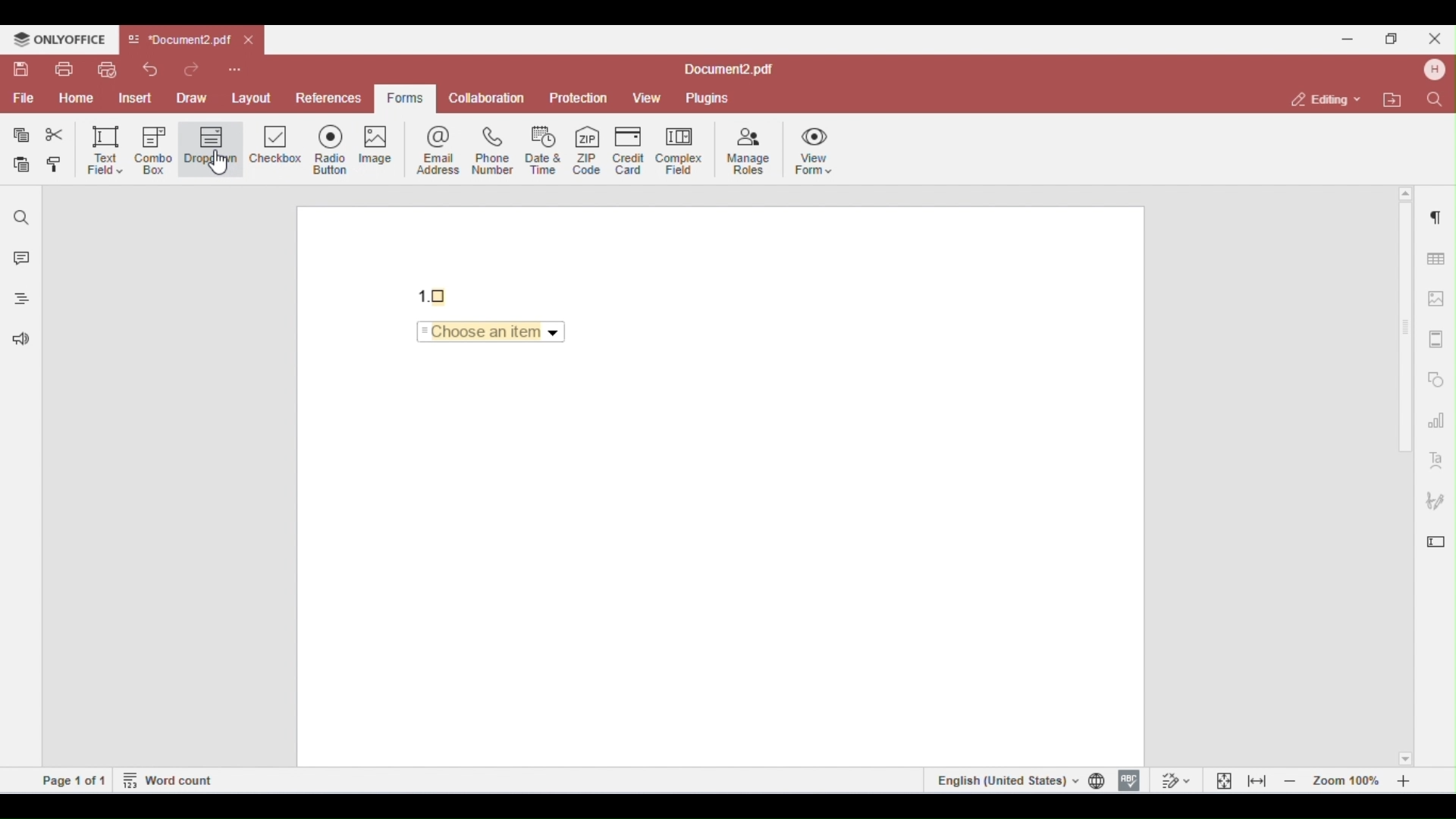 The height and width of the screenshot is (819, 1456). Describe the element at coordinates (1432, 70) in the screenshot. I see `account` at that location.